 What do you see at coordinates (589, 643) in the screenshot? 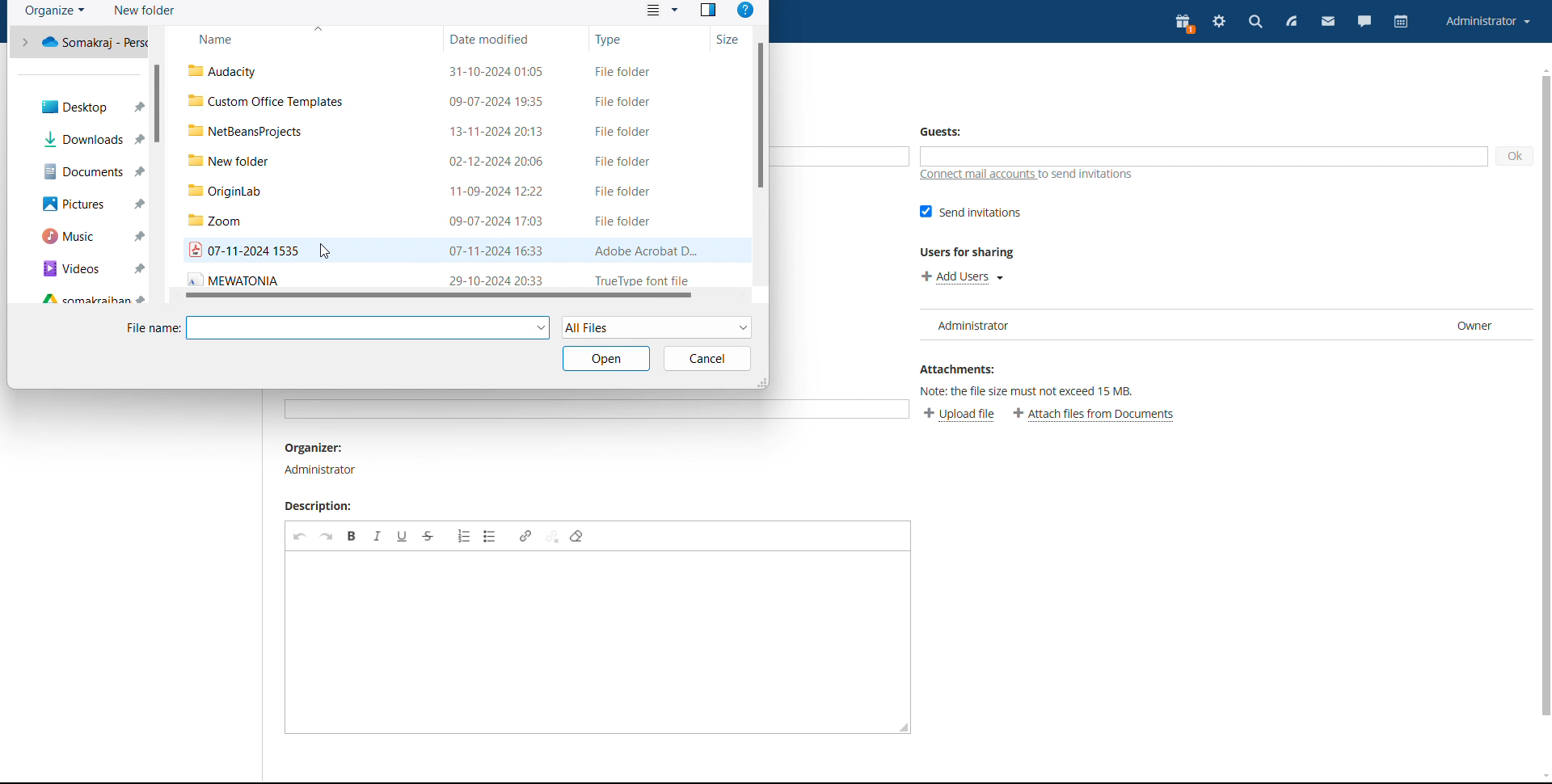
I see `edit description` at bounding box center [589, 643].